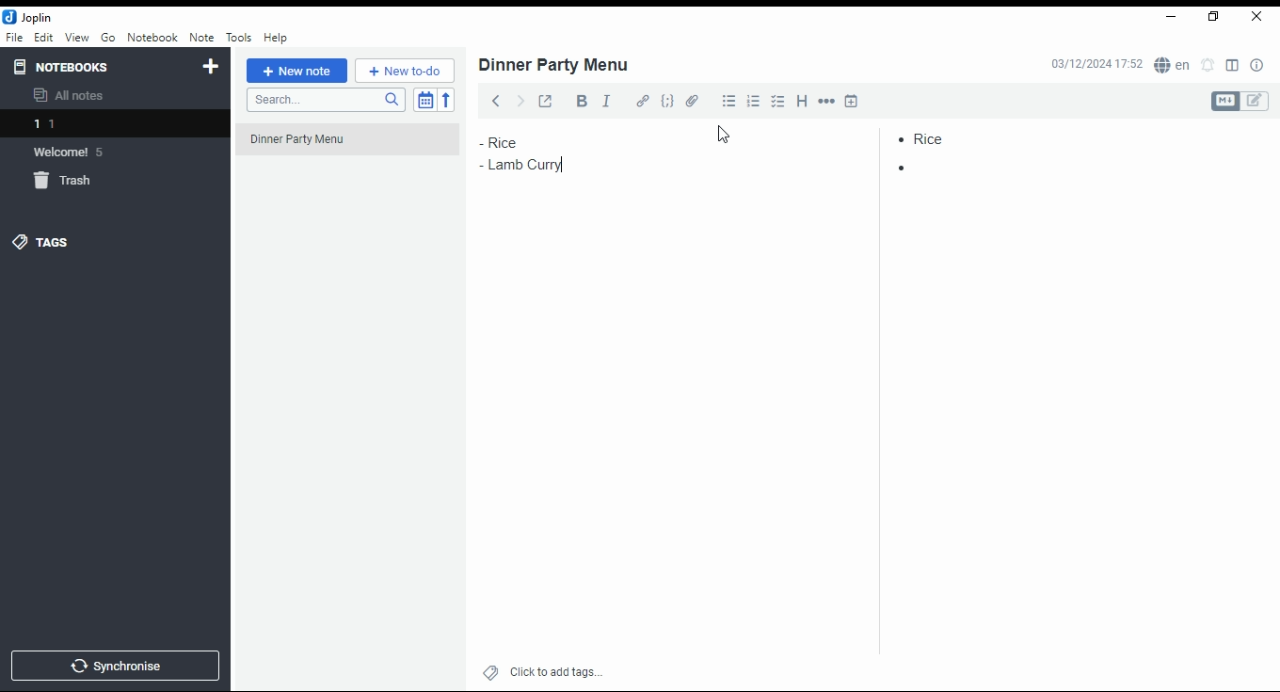 The height and width of the screenshot is (692, 1280). What do you see at coordinates (515, 142) in the screenshot?
I see `rice` at bounding box center [515, 142].